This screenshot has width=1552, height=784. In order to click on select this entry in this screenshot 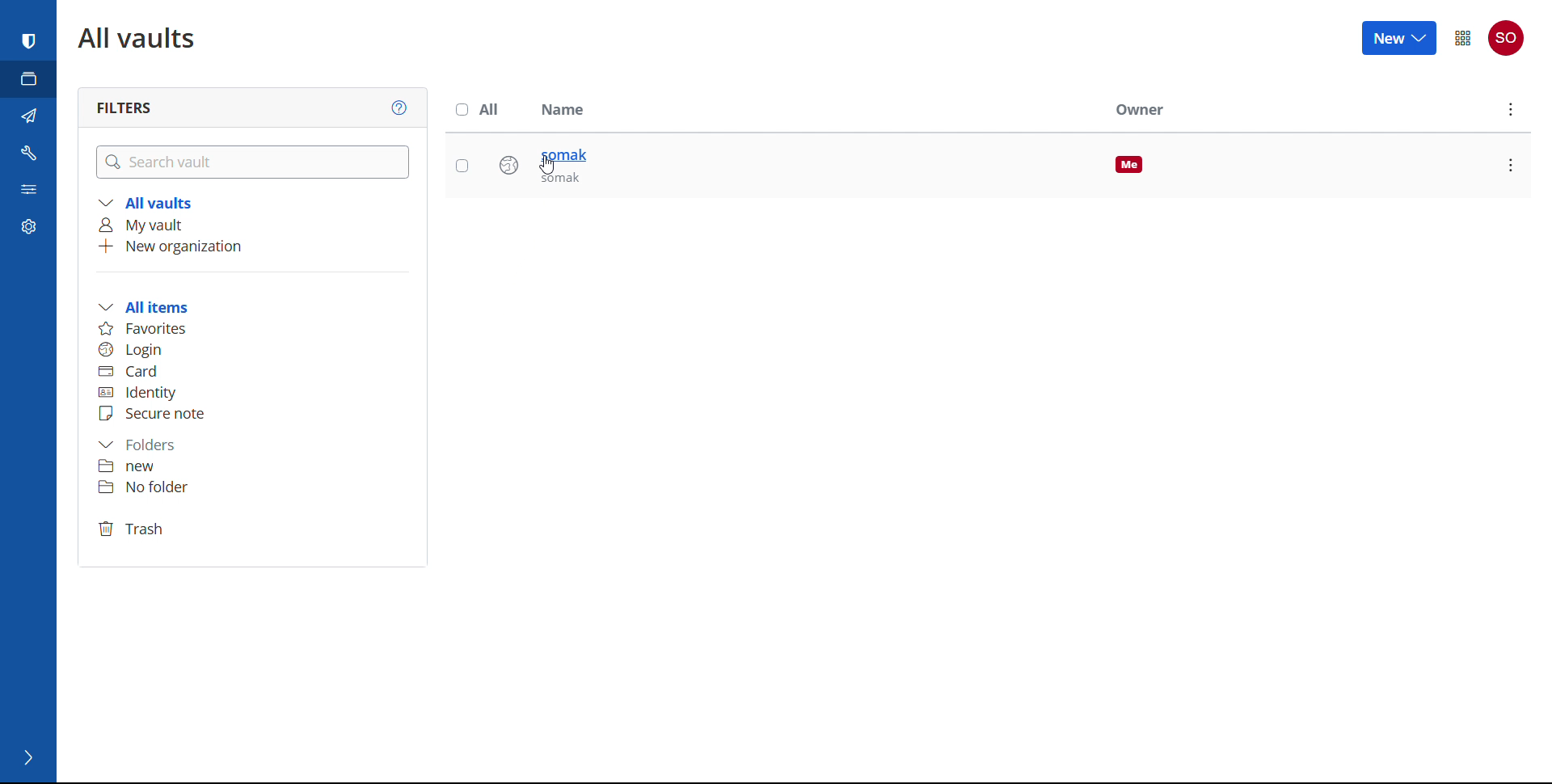, I will do `click(462, 165)`.